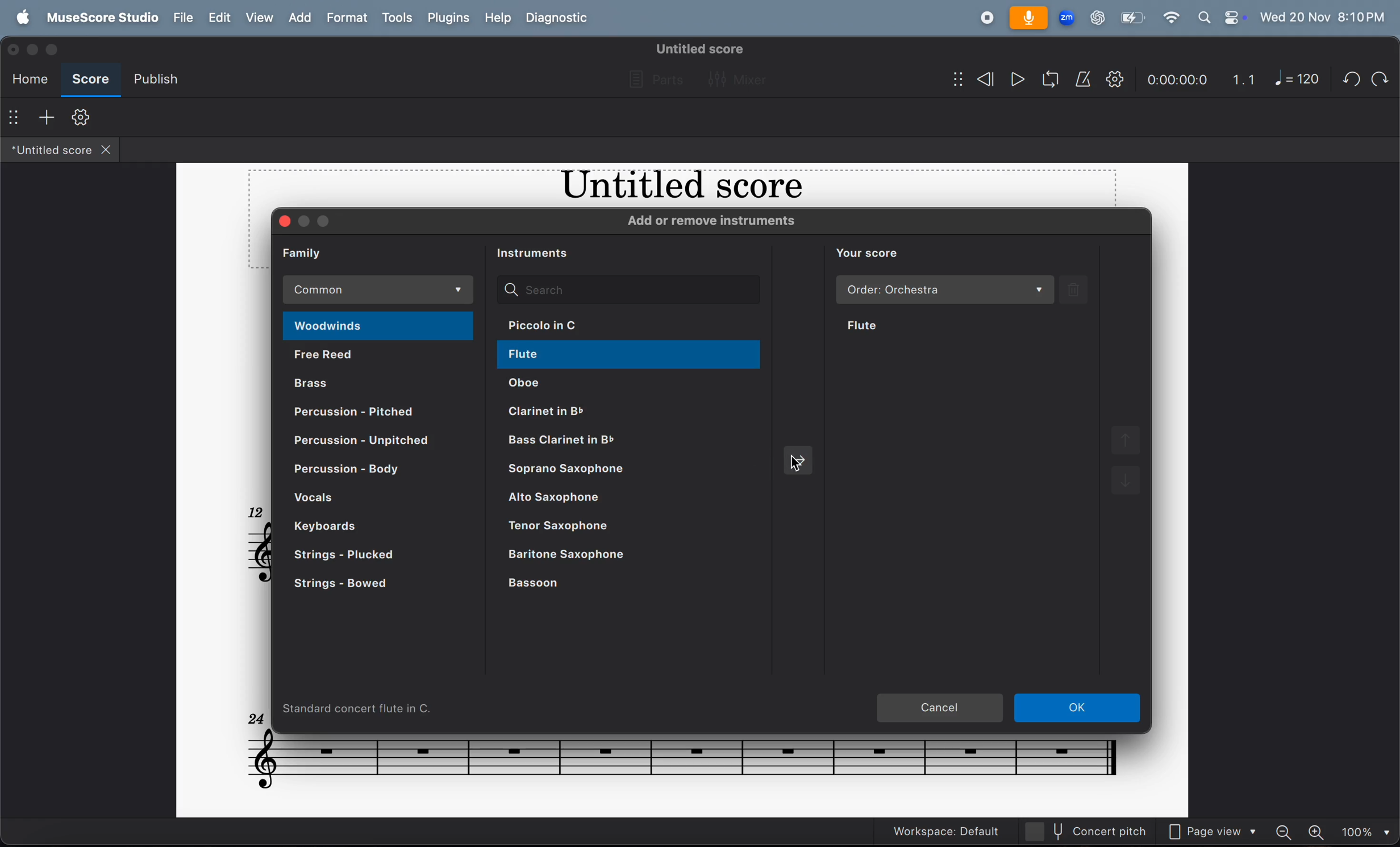 This screenshot has width=1400, height=847. Describe the element at coordinates (1295, 78) in the screenshot. I see `note 120` at that location.